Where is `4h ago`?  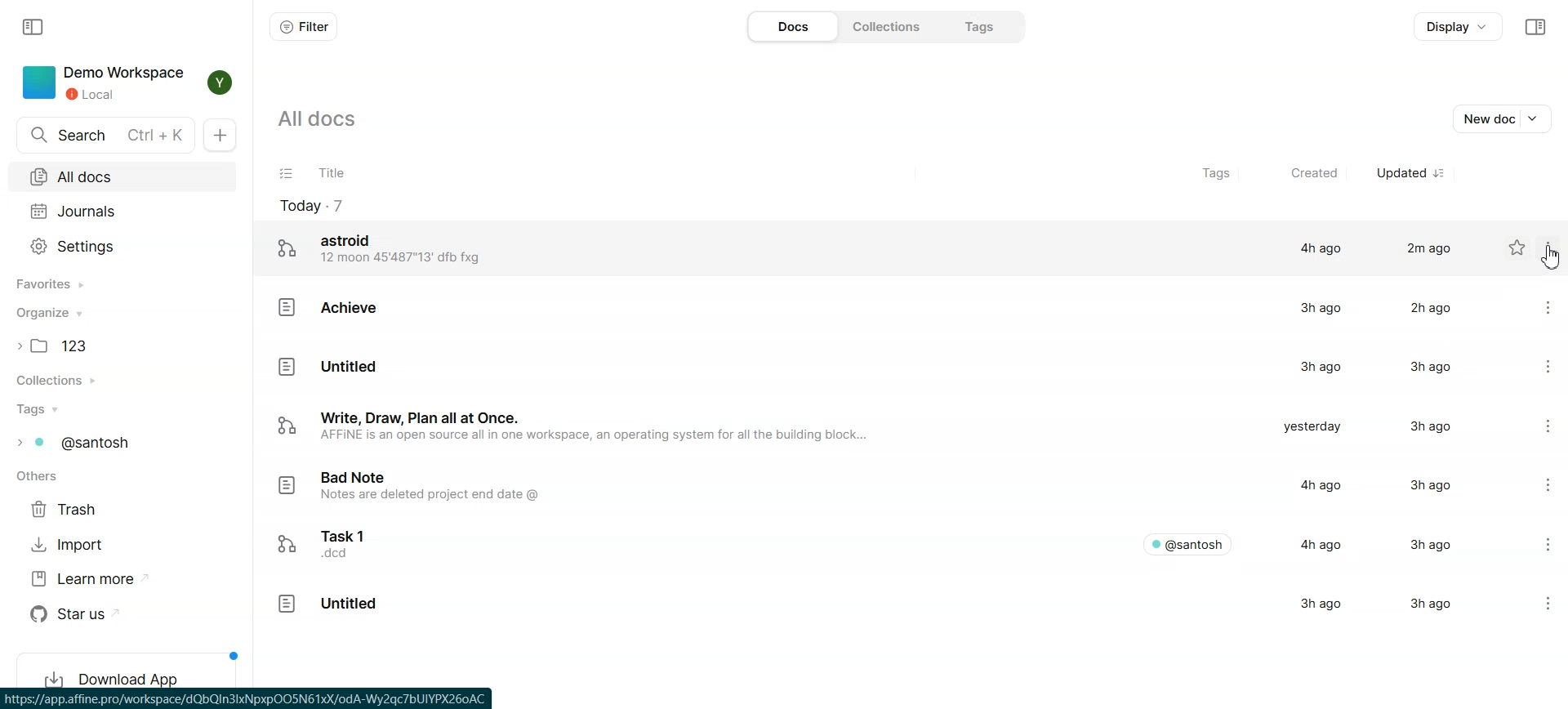 4h ago is located at coordinates (1321, 544).